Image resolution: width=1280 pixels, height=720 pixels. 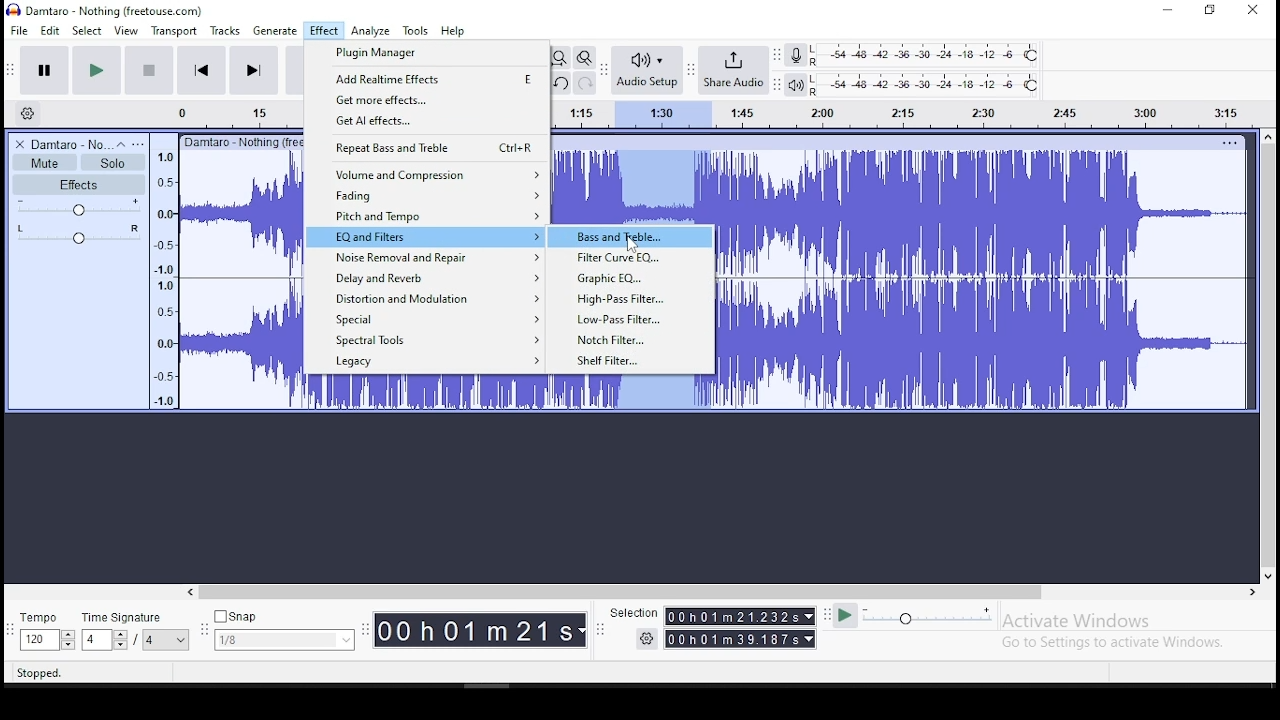 I want to click on plugin manager, so click(x=427, y=54).